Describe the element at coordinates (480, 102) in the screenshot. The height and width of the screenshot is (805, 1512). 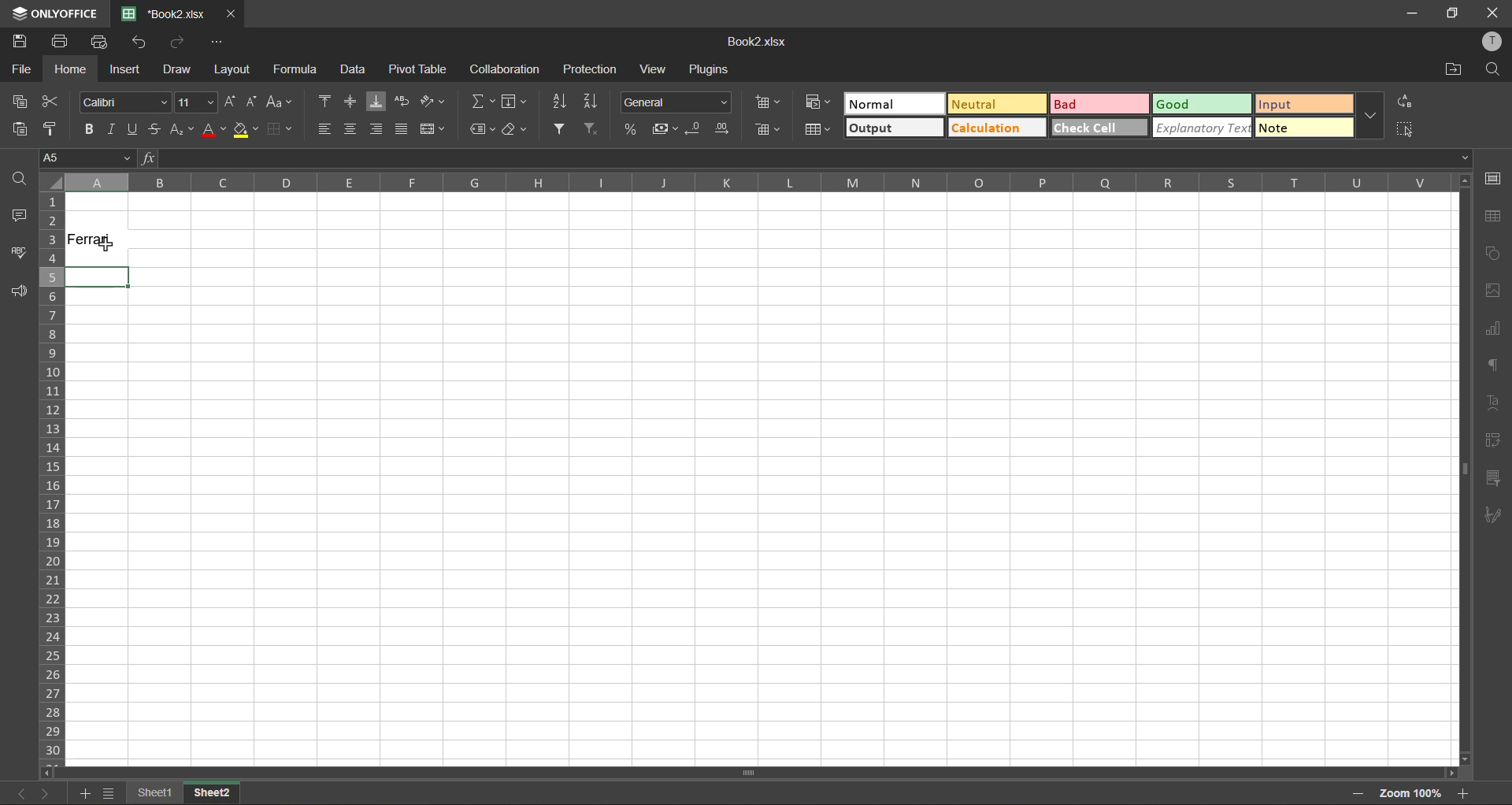
I see `summation` at that location.